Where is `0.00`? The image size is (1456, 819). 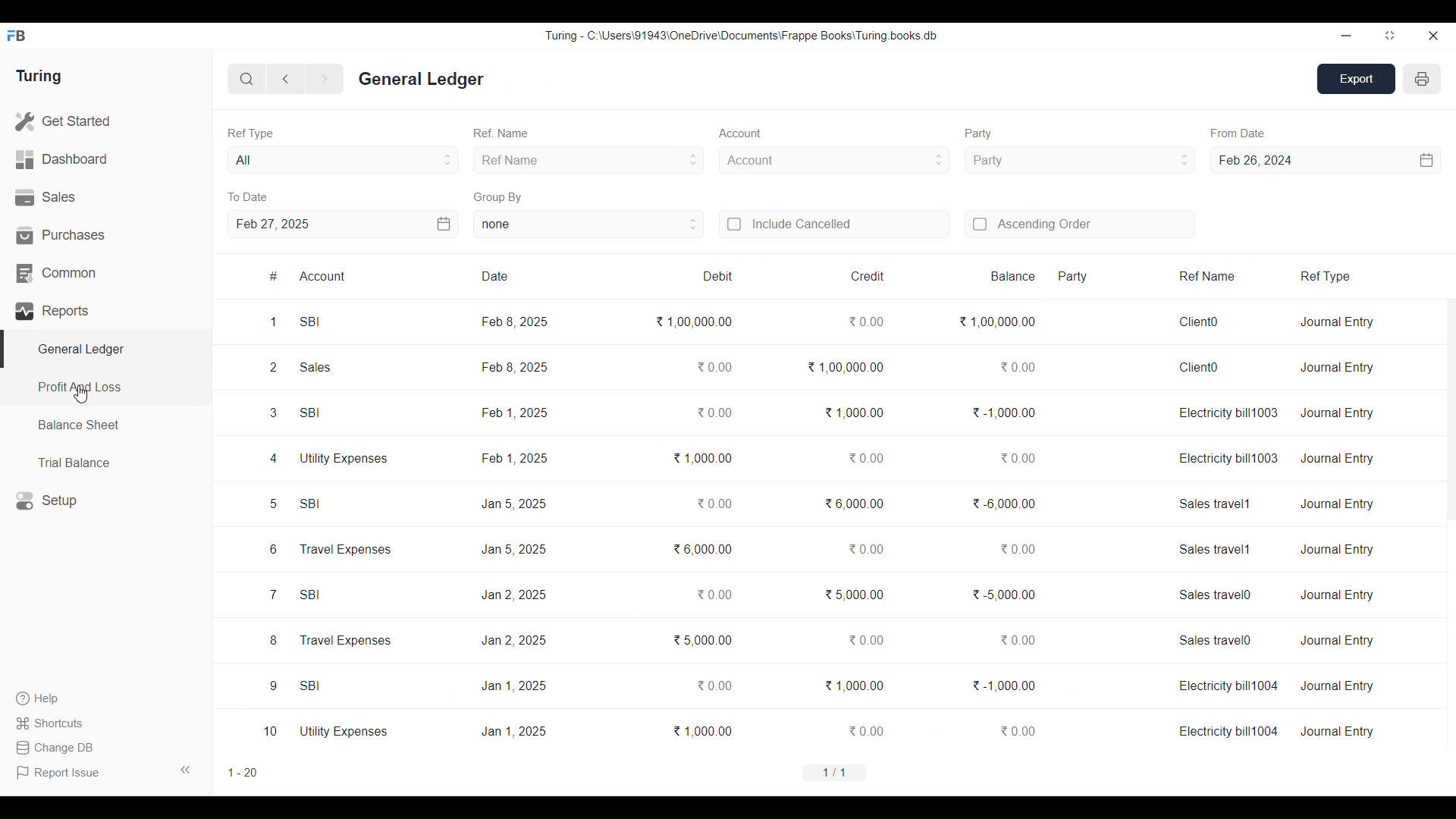 0.00 is located at coordinates (1018, 548).